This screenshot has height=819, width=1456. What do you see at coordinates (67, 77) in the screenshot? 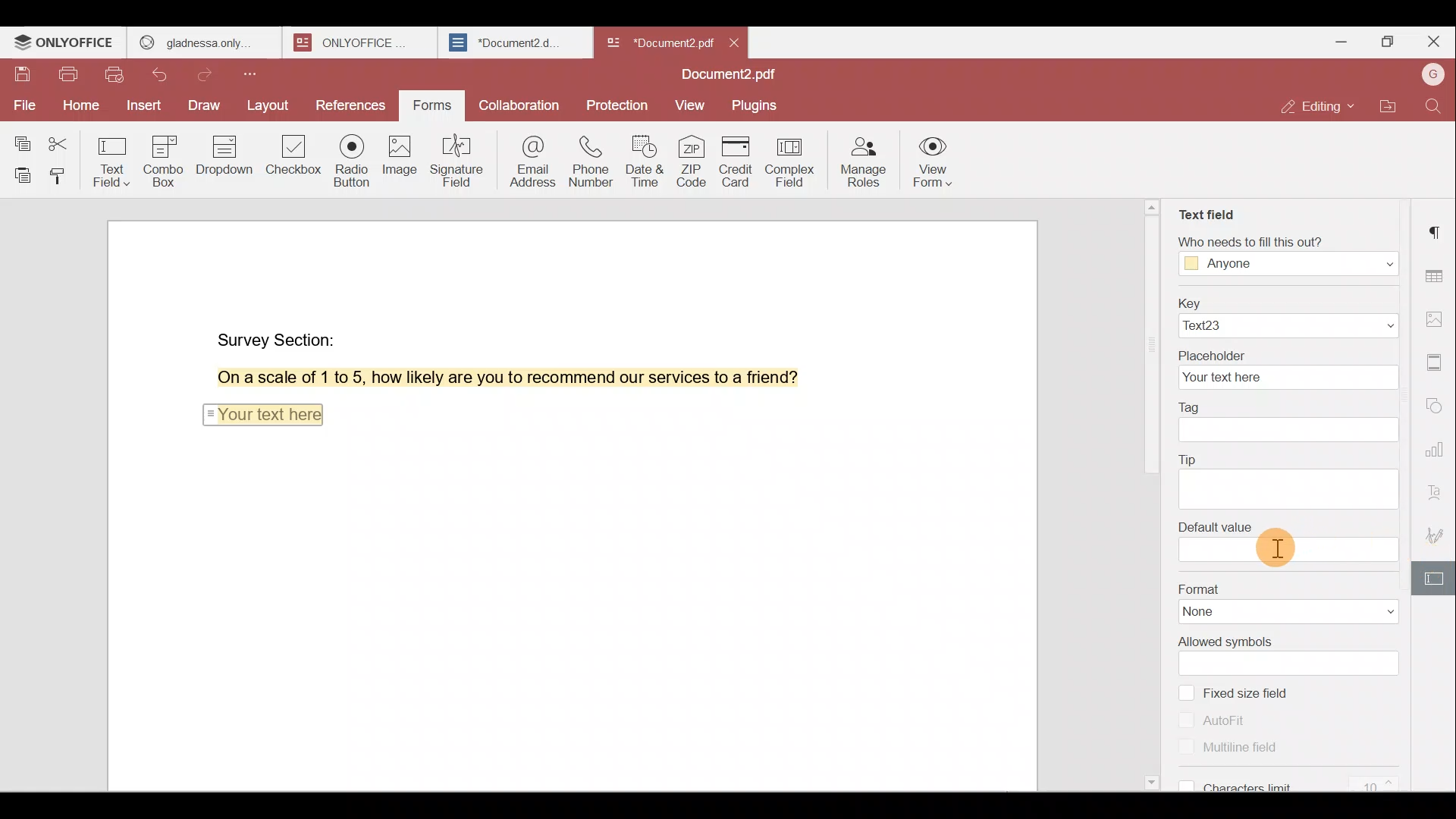
I see `Print file` at bounding box center [67, 77].